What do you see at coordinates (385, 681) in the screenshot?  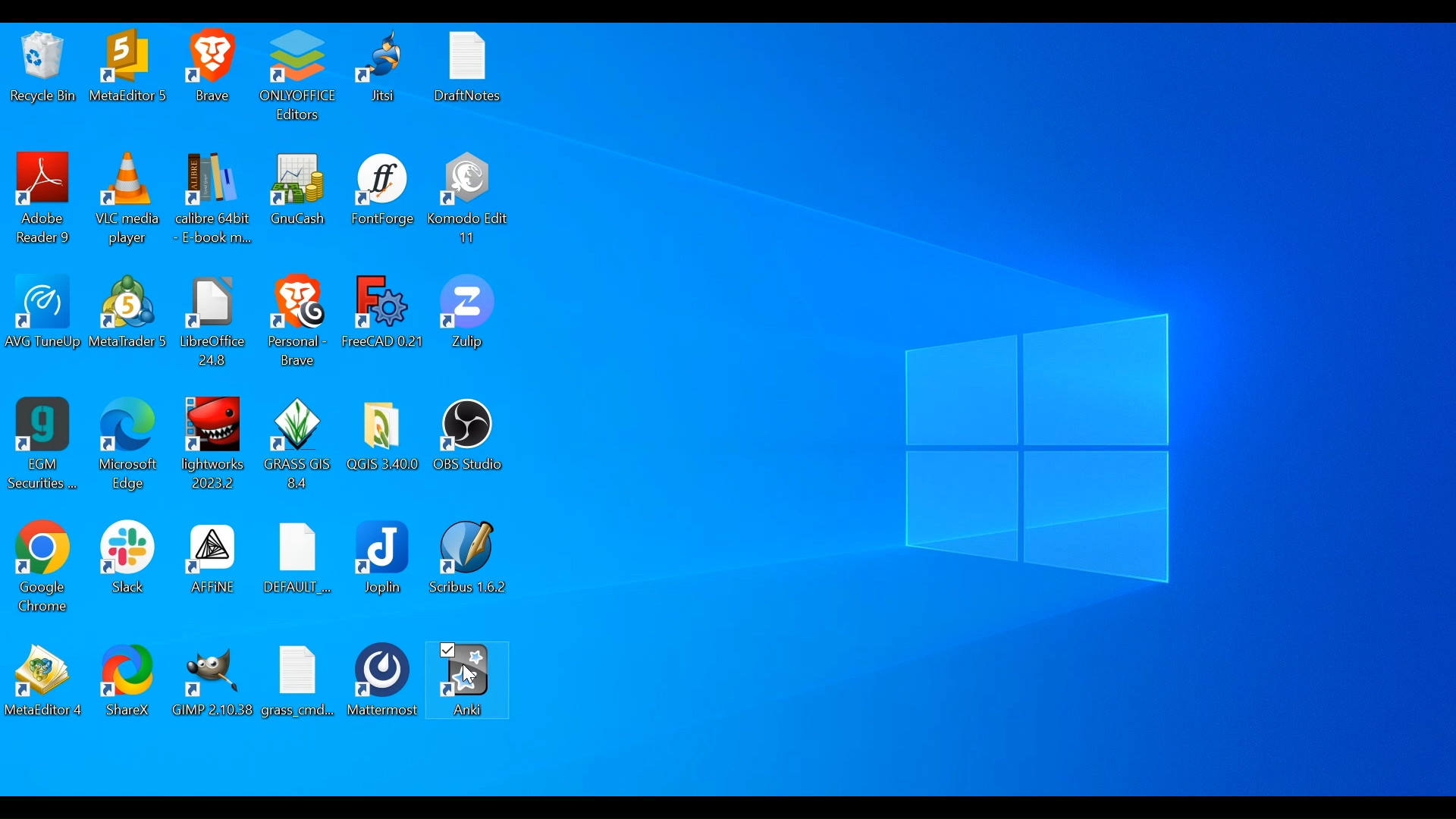 I see `Mattermost Desktop icon` at bounding box center [385, 681].